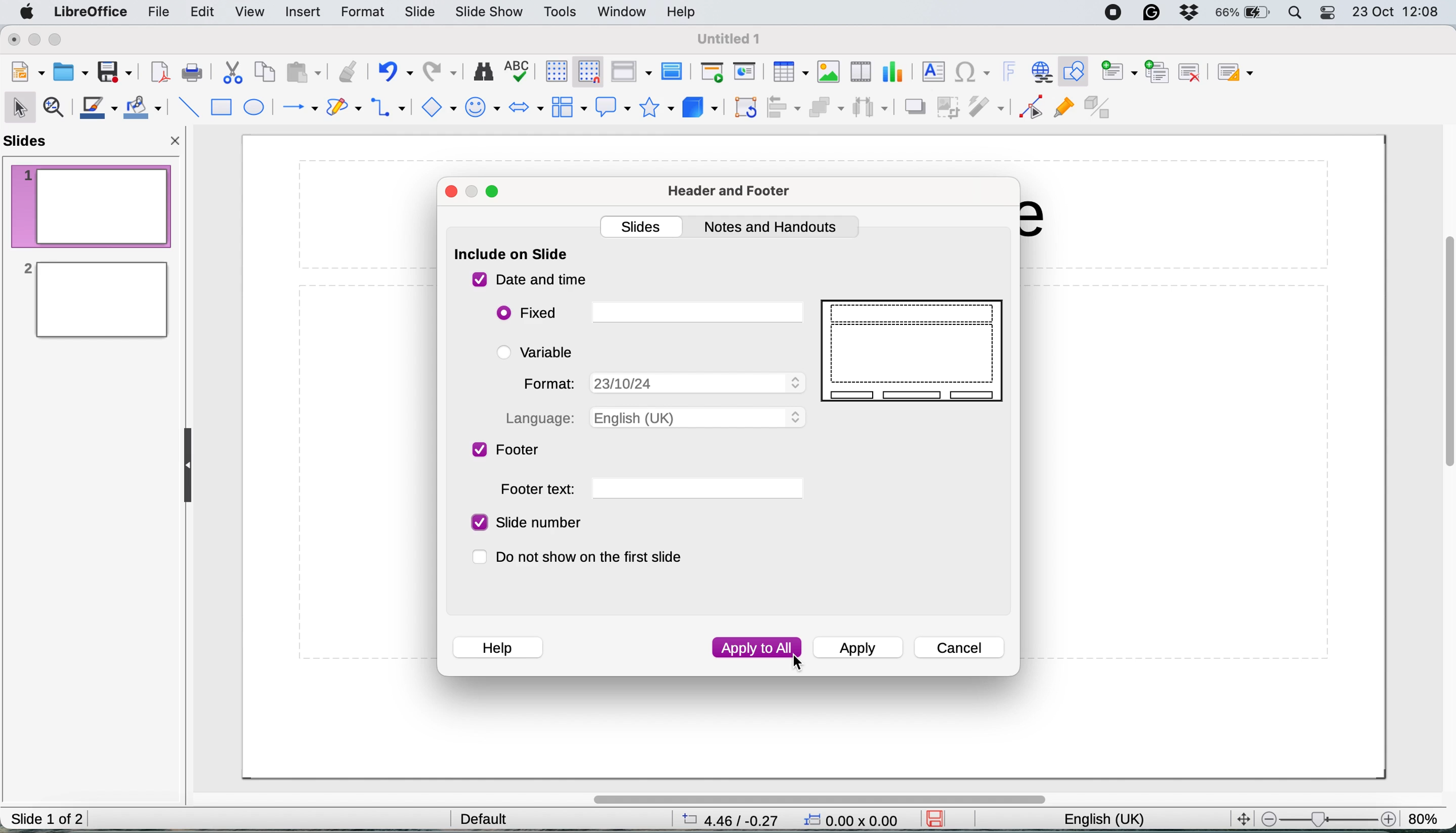 This screenshot has height=833, width=1456. What do you see at coordinates (1394, 13) in the screenshot?
I see `23 oct 12:08` at bounding box center [1394, 13].